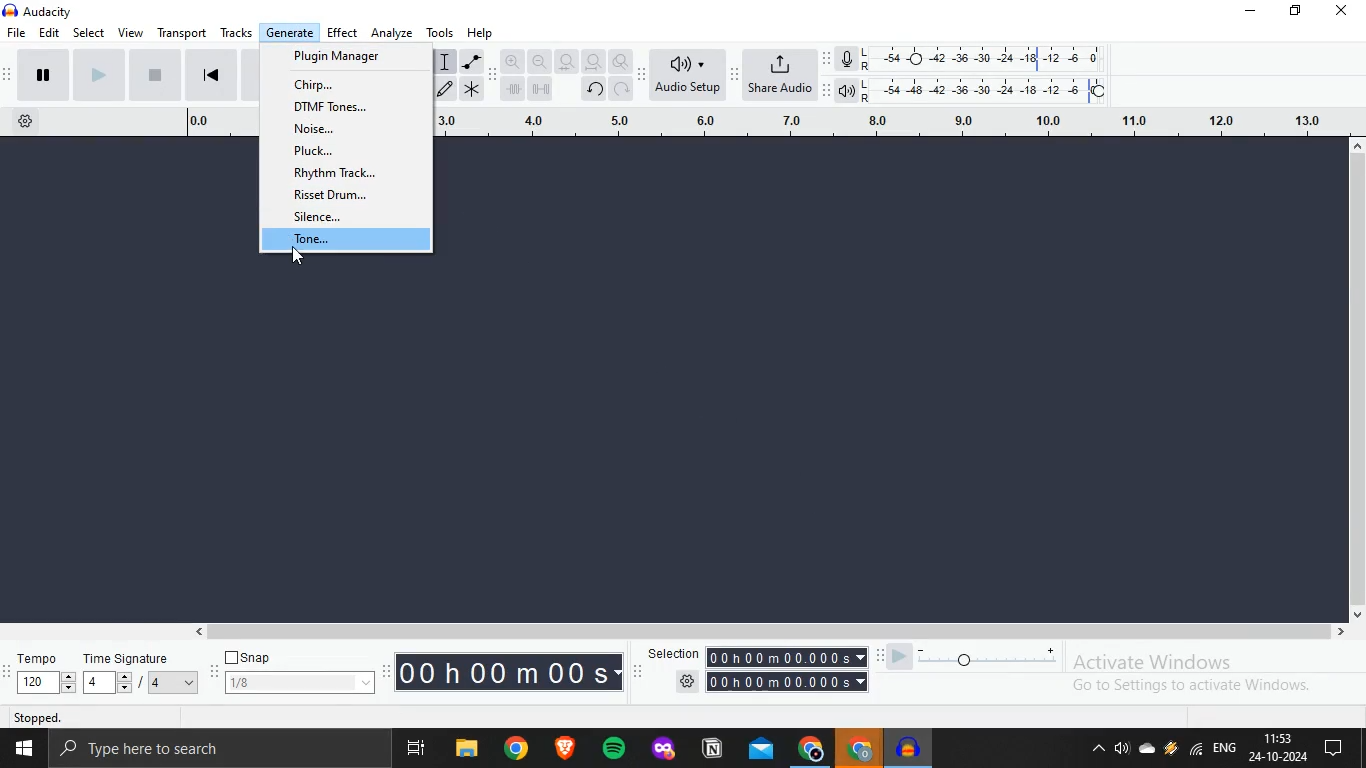  What do you see at coordinates (336, 107) in the screenshot?
I see `dtmf tones...` at bounding box center [336, 107].